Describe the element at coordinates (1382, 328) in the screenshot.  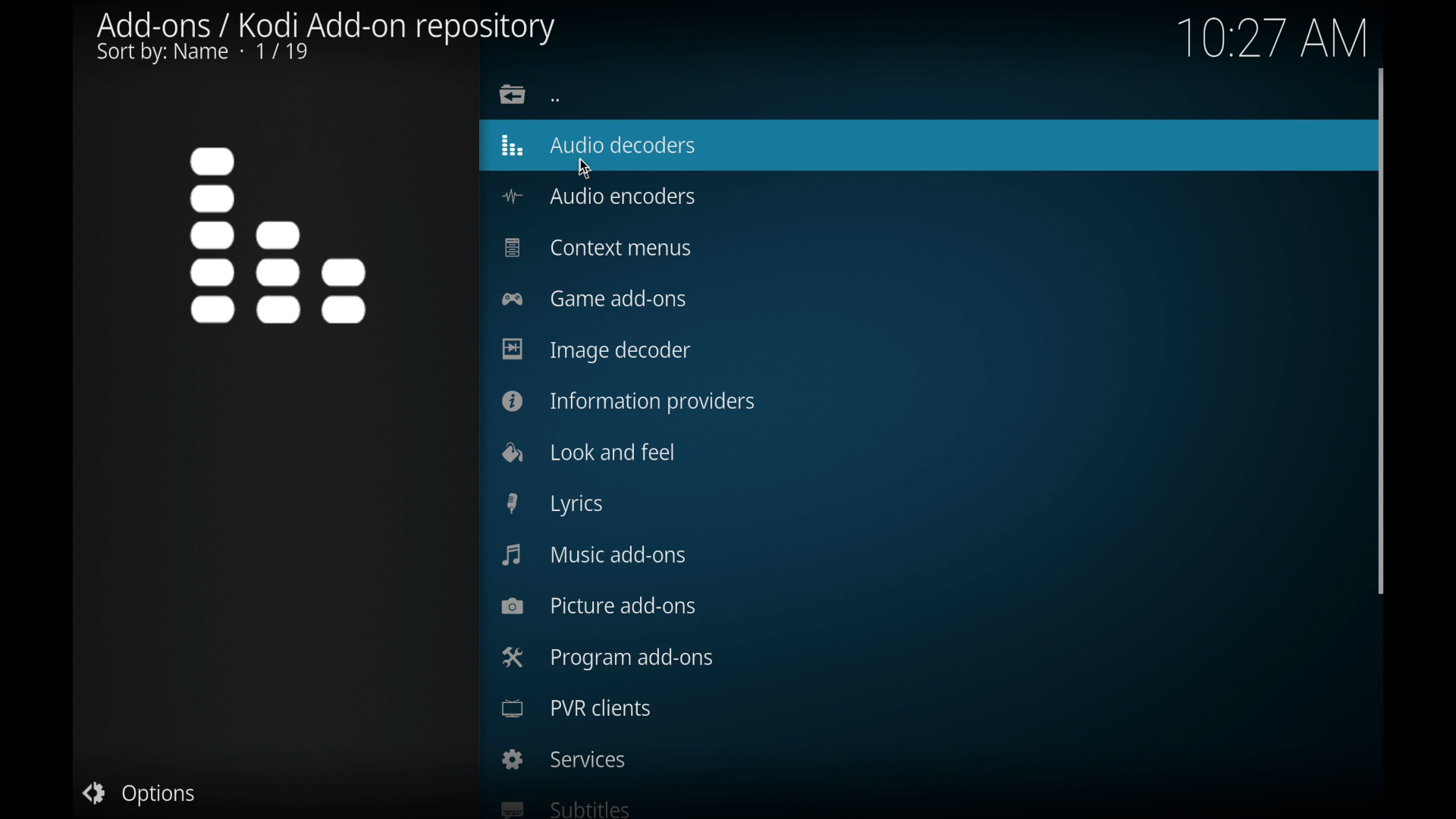
I see `scroll box` at that location.